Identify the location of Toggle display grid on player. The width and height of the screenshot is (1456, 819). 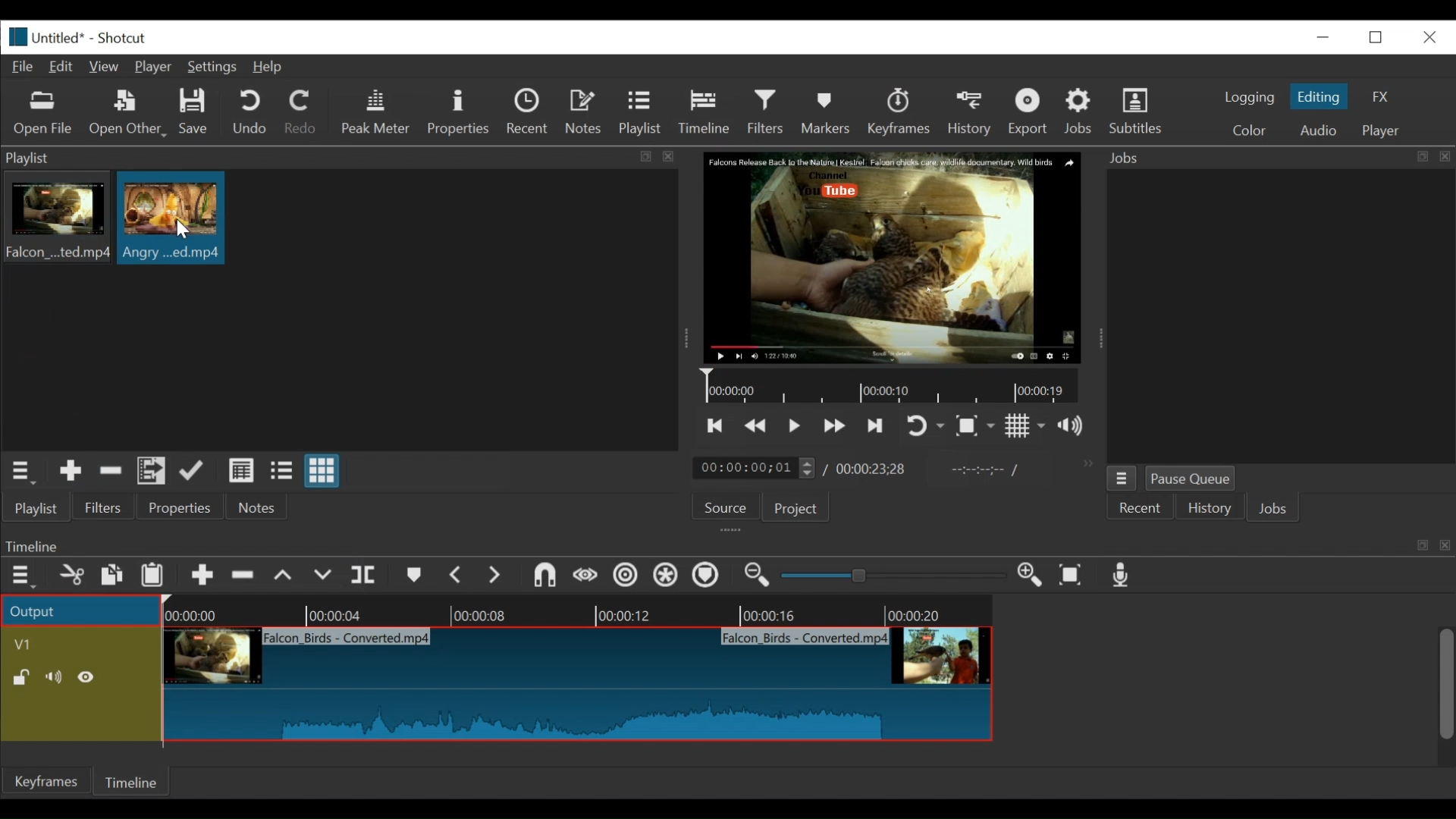
(1025, 425).